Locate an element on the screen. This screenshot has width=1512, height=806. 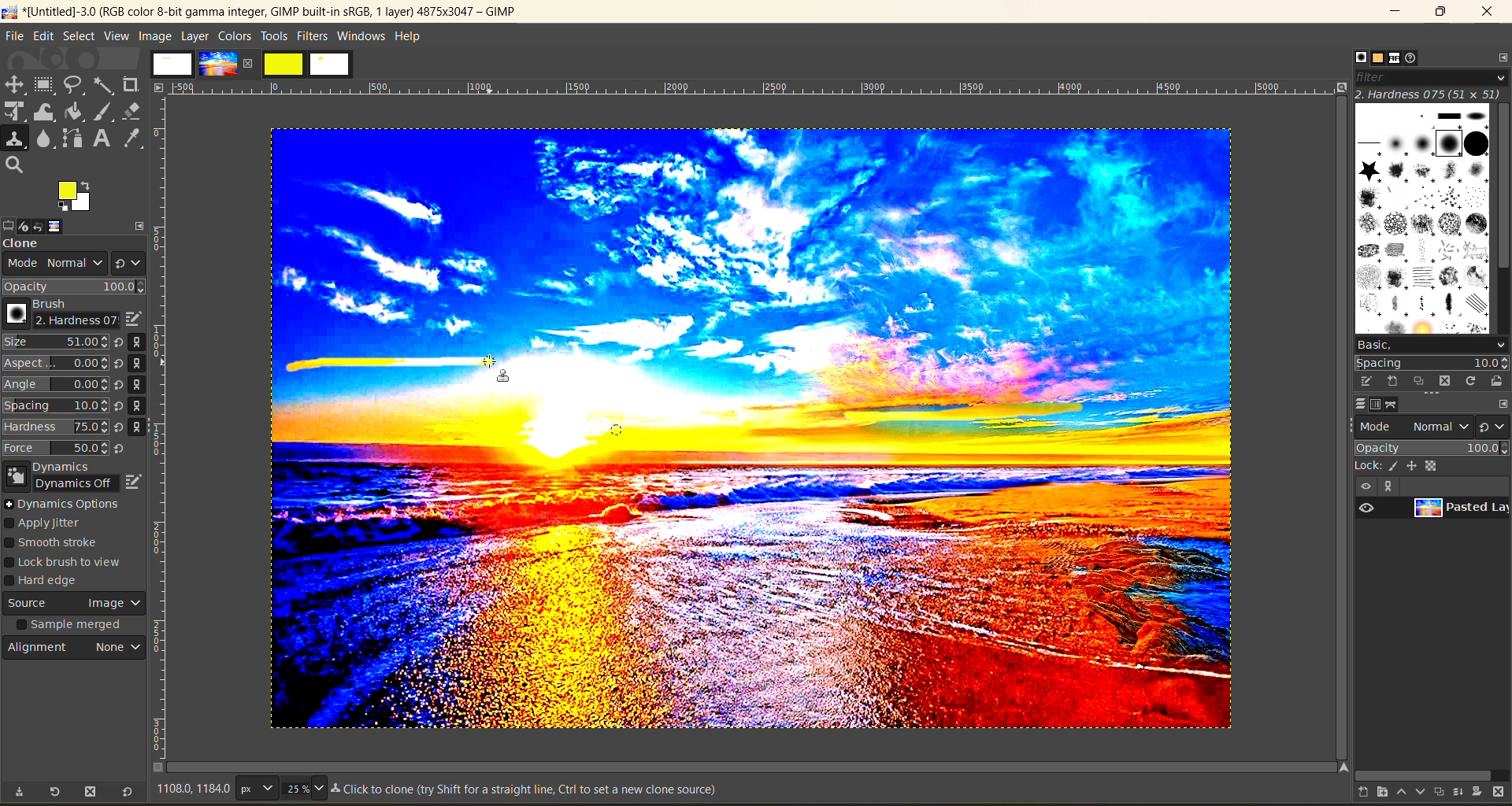
white is located at coordinates (332, 65).